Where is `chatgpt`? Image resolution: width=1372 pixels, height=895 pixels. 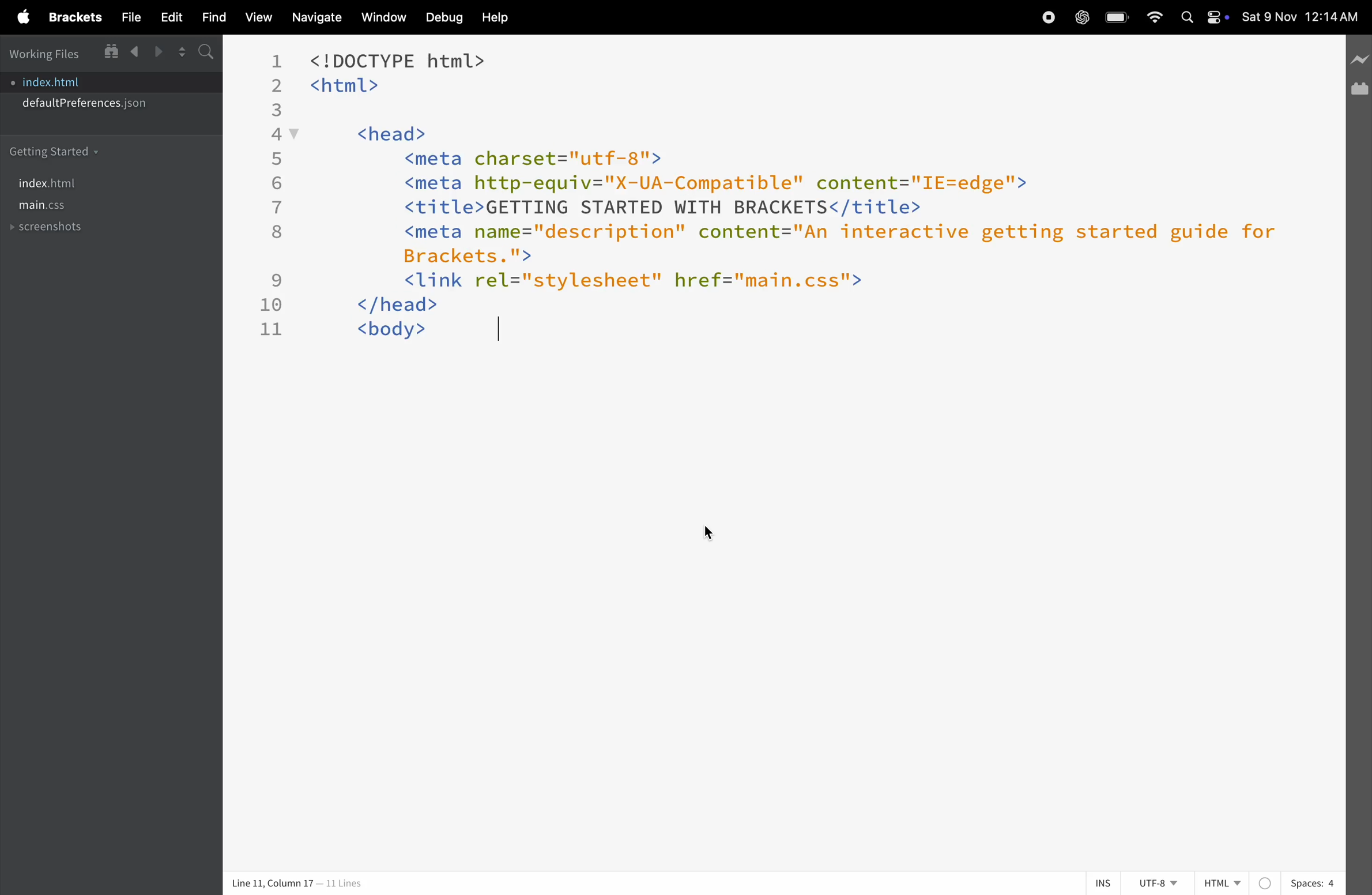 chatgpt is located at coordinates (1083, 17).